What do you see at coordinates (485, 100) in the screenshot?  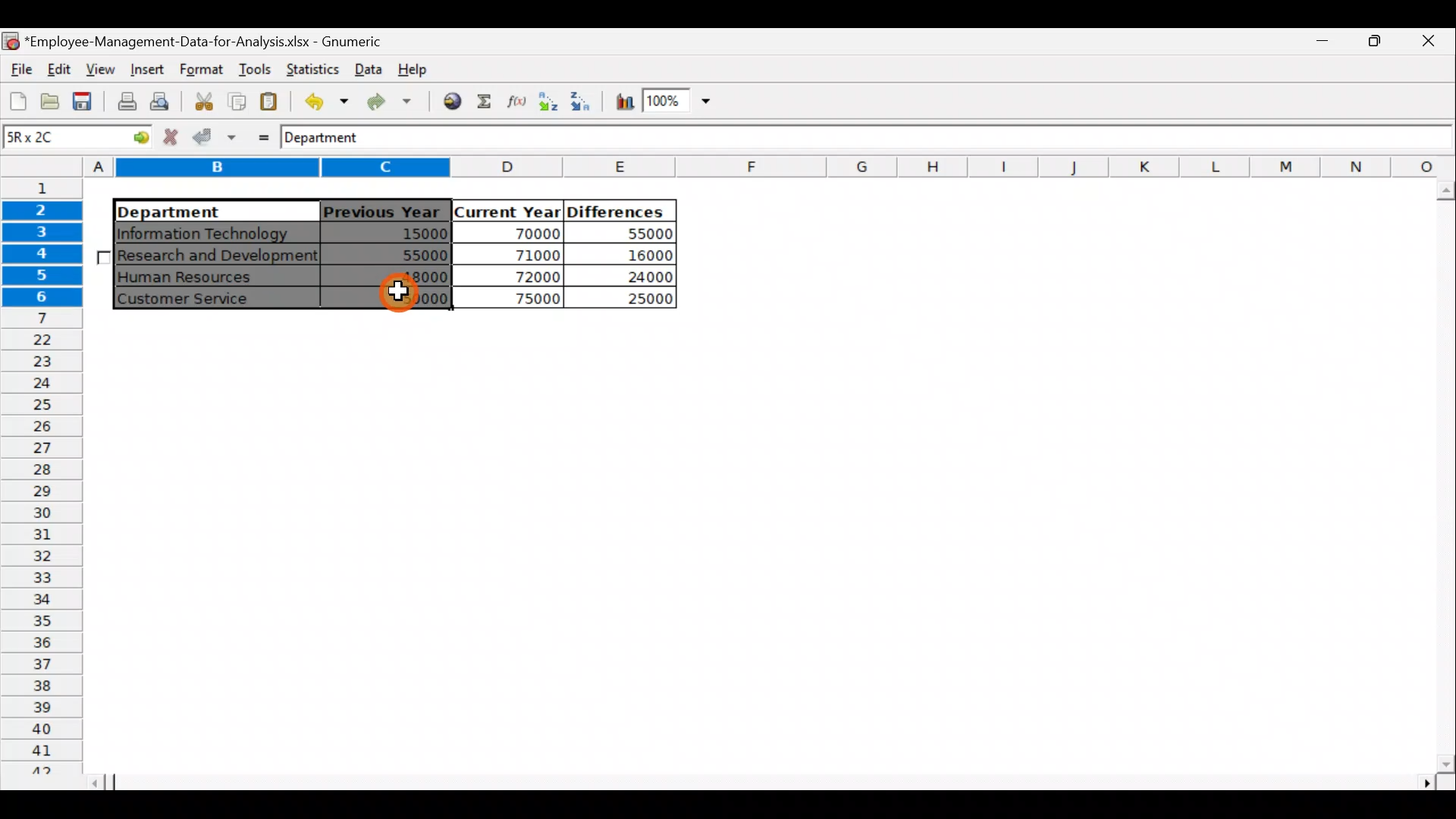 I see `Sum into the current cell` at bounding box center [485, 100].